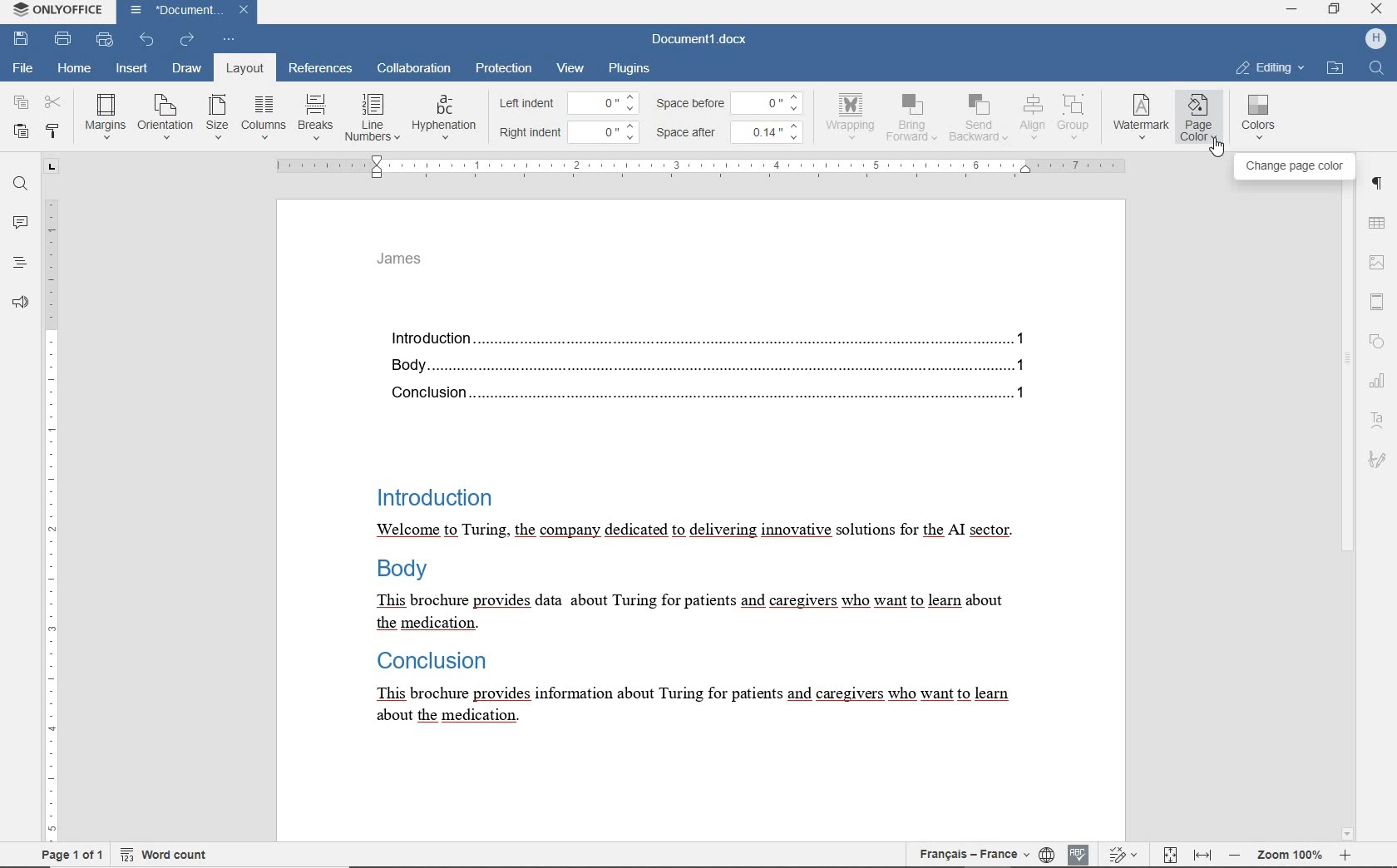  What do you see at coordinates (1078, 118) in the screenshot?
I see `group` at bounding box center [1078, 118].